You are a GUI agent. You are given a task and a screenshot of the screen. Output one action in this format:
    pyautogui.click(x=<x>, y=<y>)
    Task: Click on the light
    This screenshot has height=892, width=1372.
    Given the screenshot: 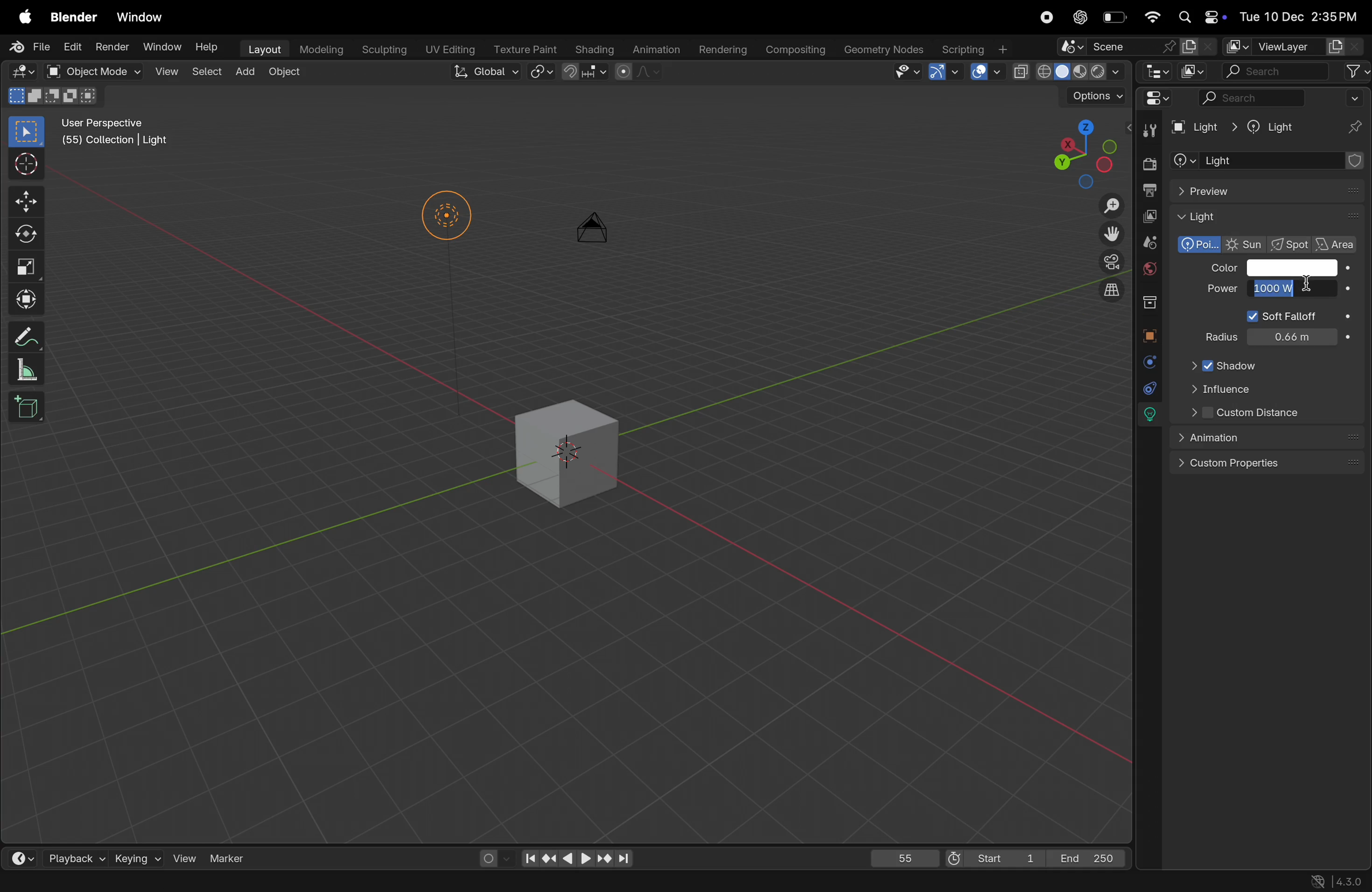 What is the action you would take?
    pyautogui.click(x=1266, y=161)
    